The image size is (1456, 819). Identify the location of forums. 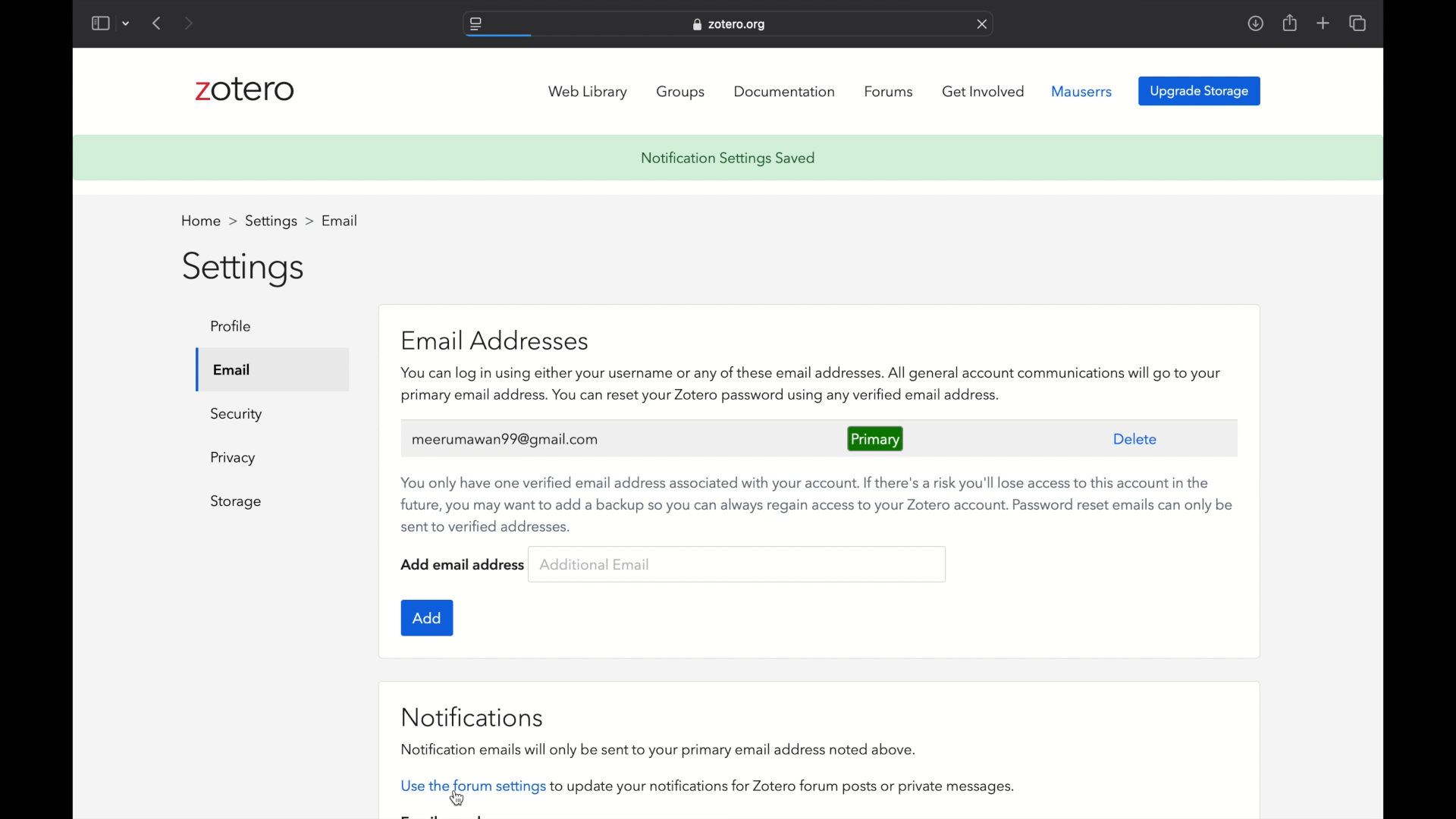
(890, 92).